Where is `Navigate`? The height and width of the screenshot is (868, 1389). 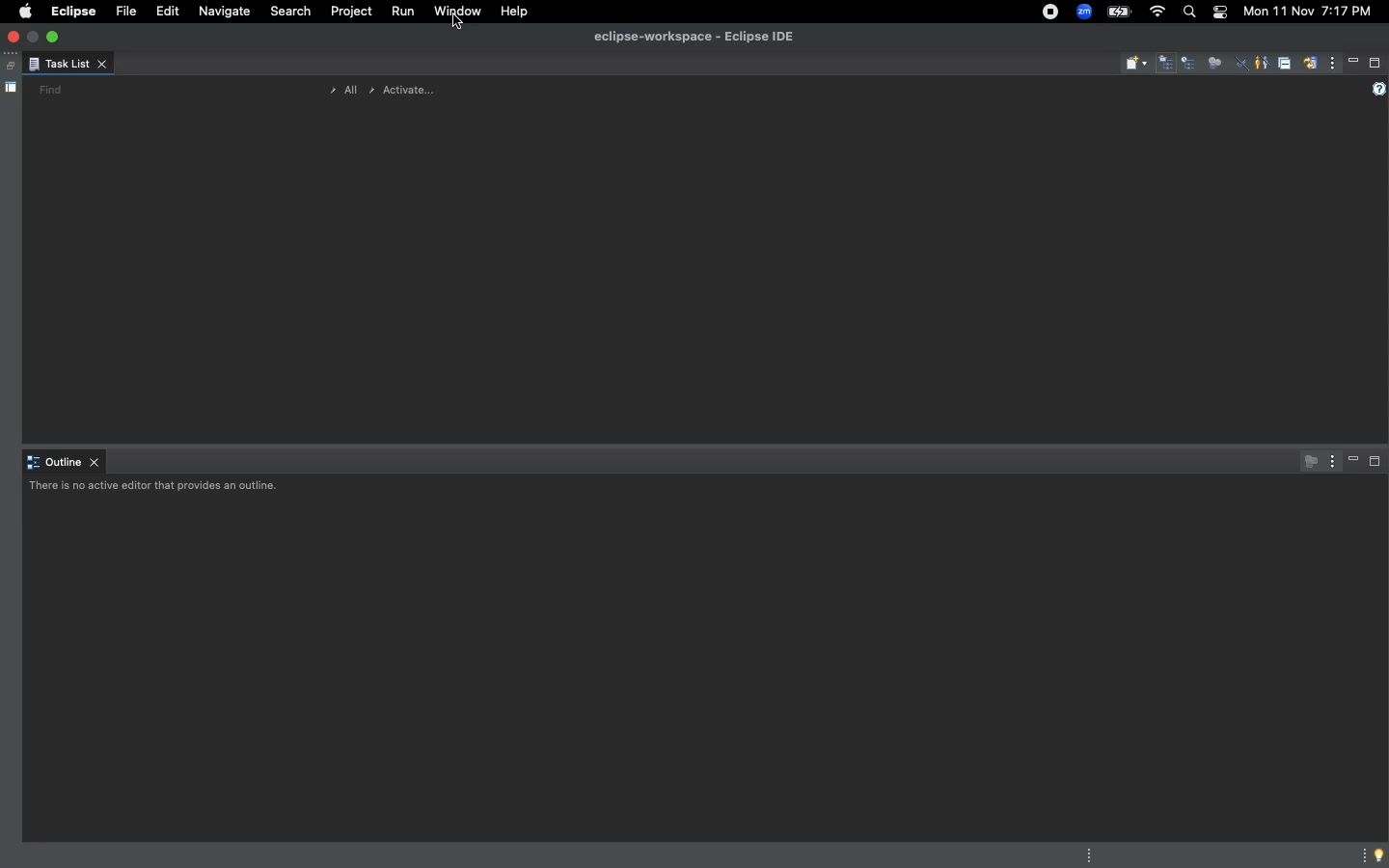
Navigate is located at coordinates (225, 14).